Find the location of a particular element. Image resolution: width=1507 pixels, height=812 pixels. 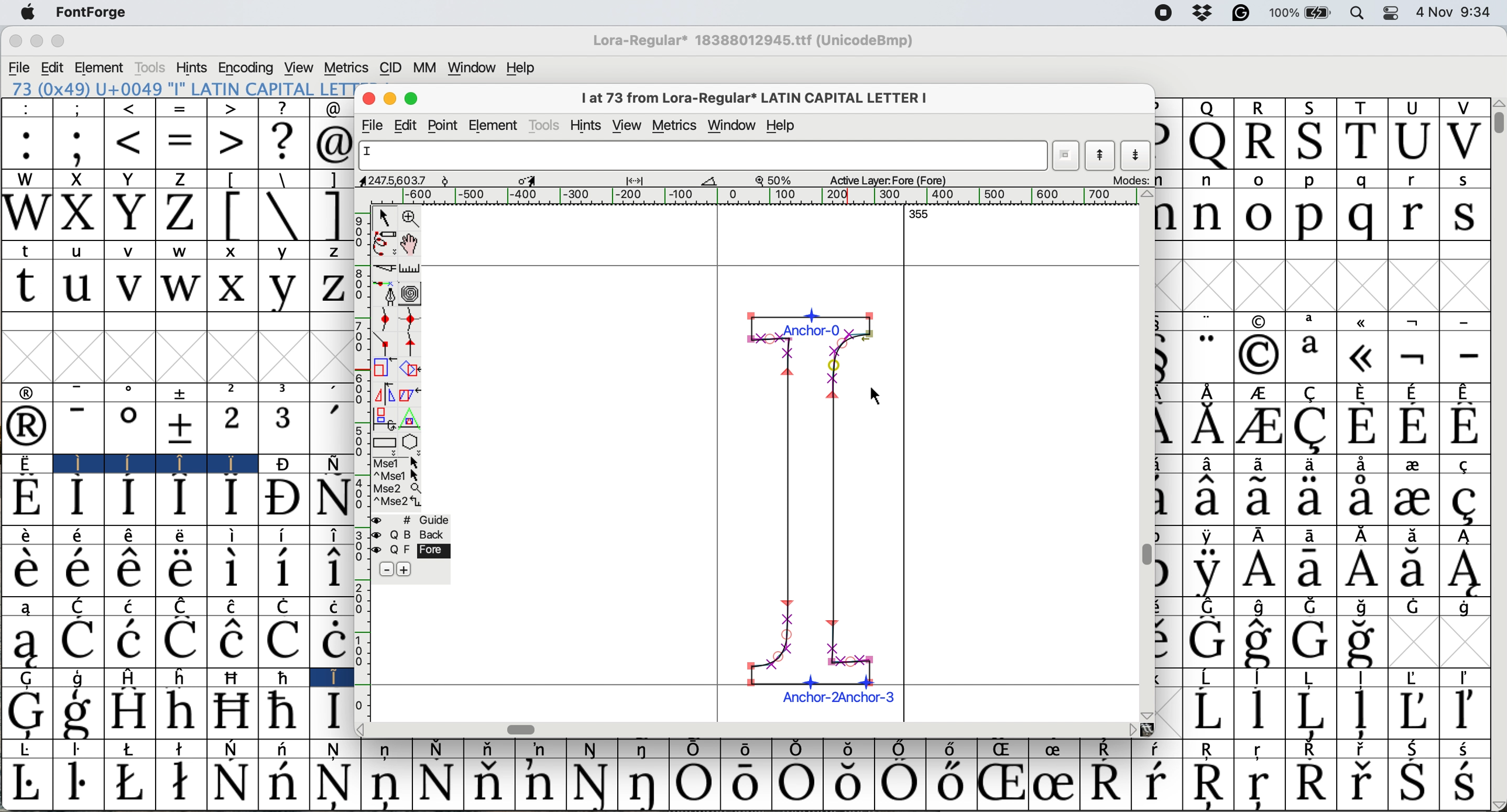

3 is located at coordinates (285, 428).